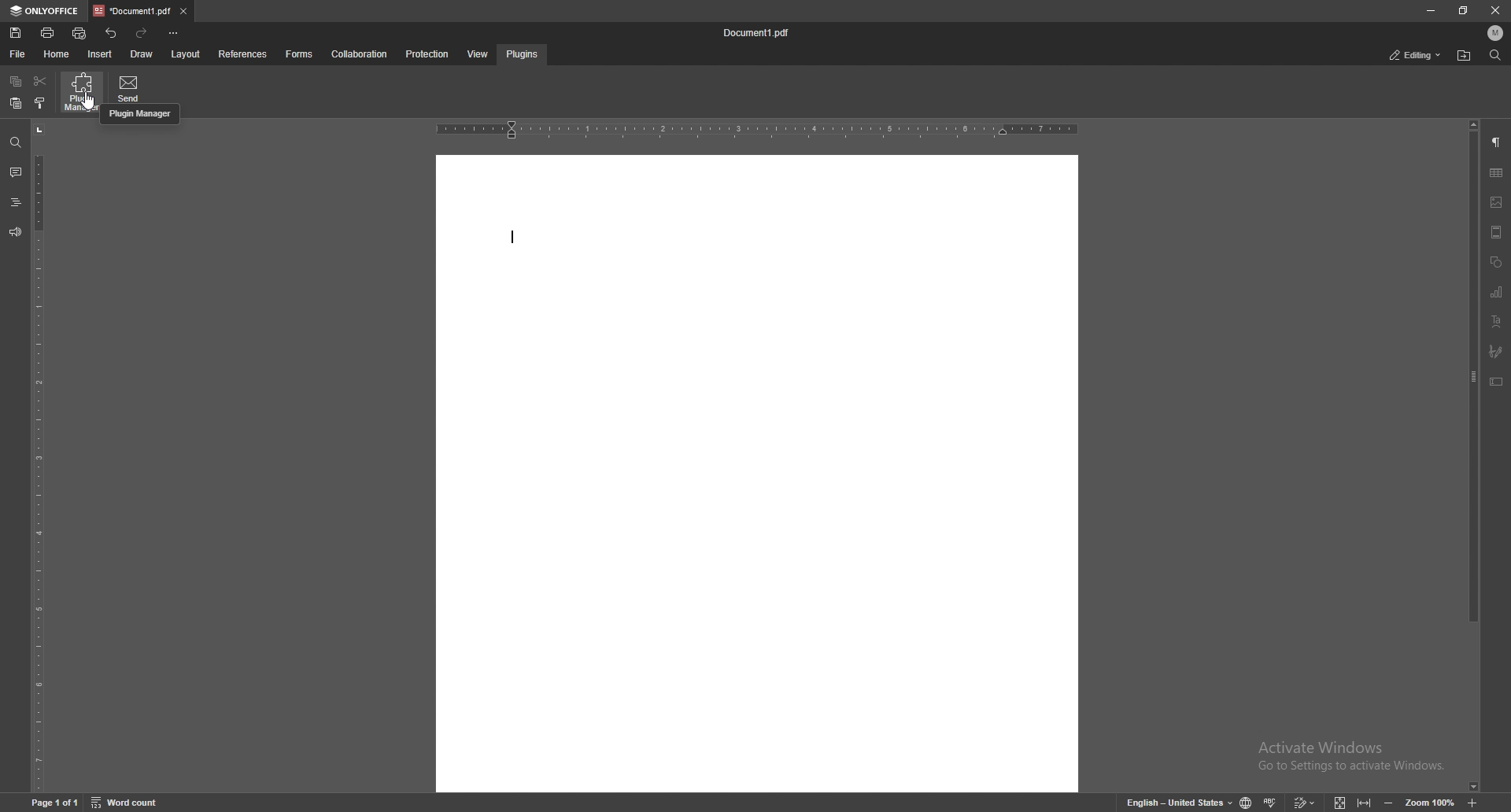  I want to click on Zoom 100%, so click(1430, 801).